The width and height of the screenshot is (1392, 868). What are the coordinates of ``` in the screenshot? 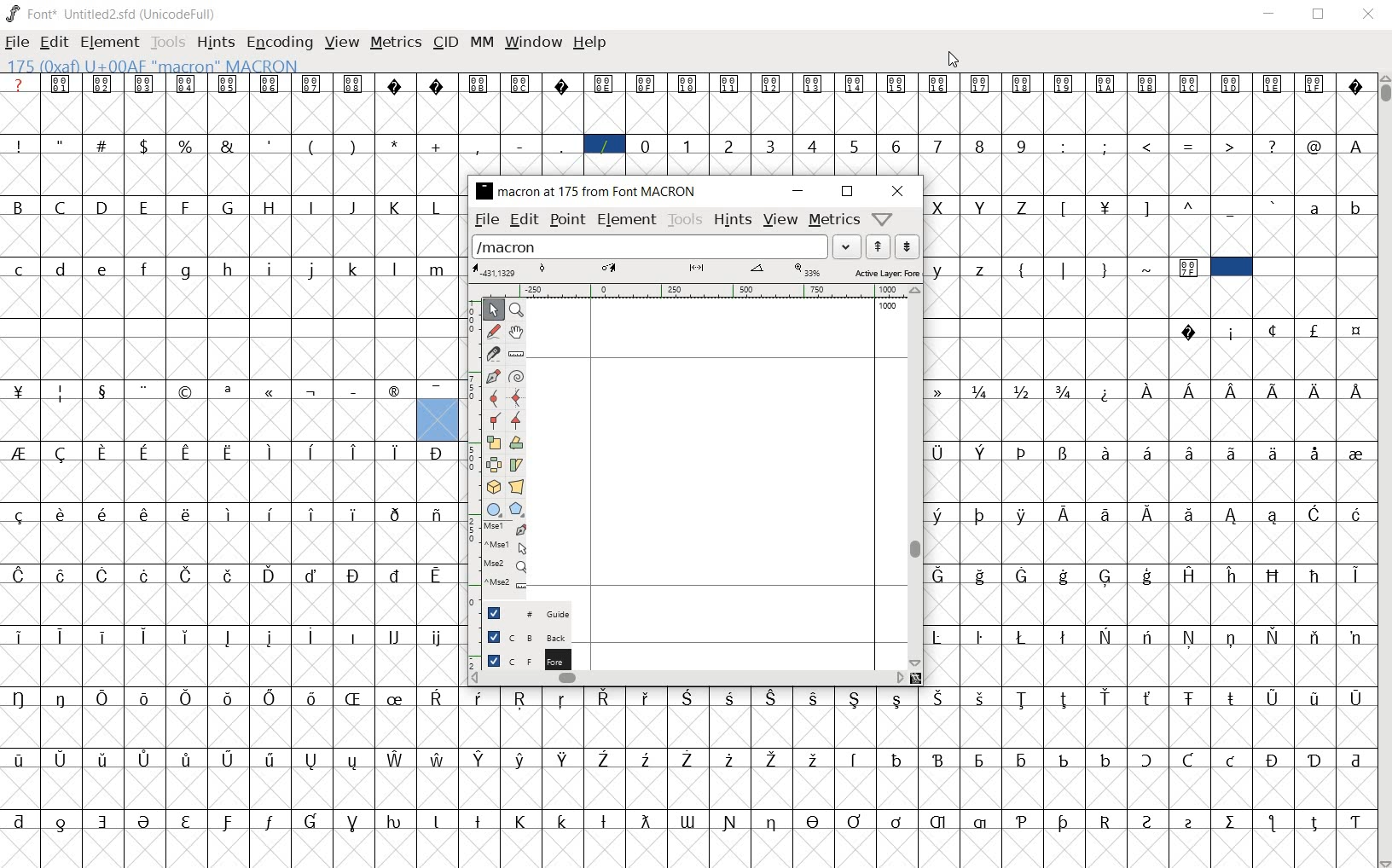 It's located at (1273, 205).